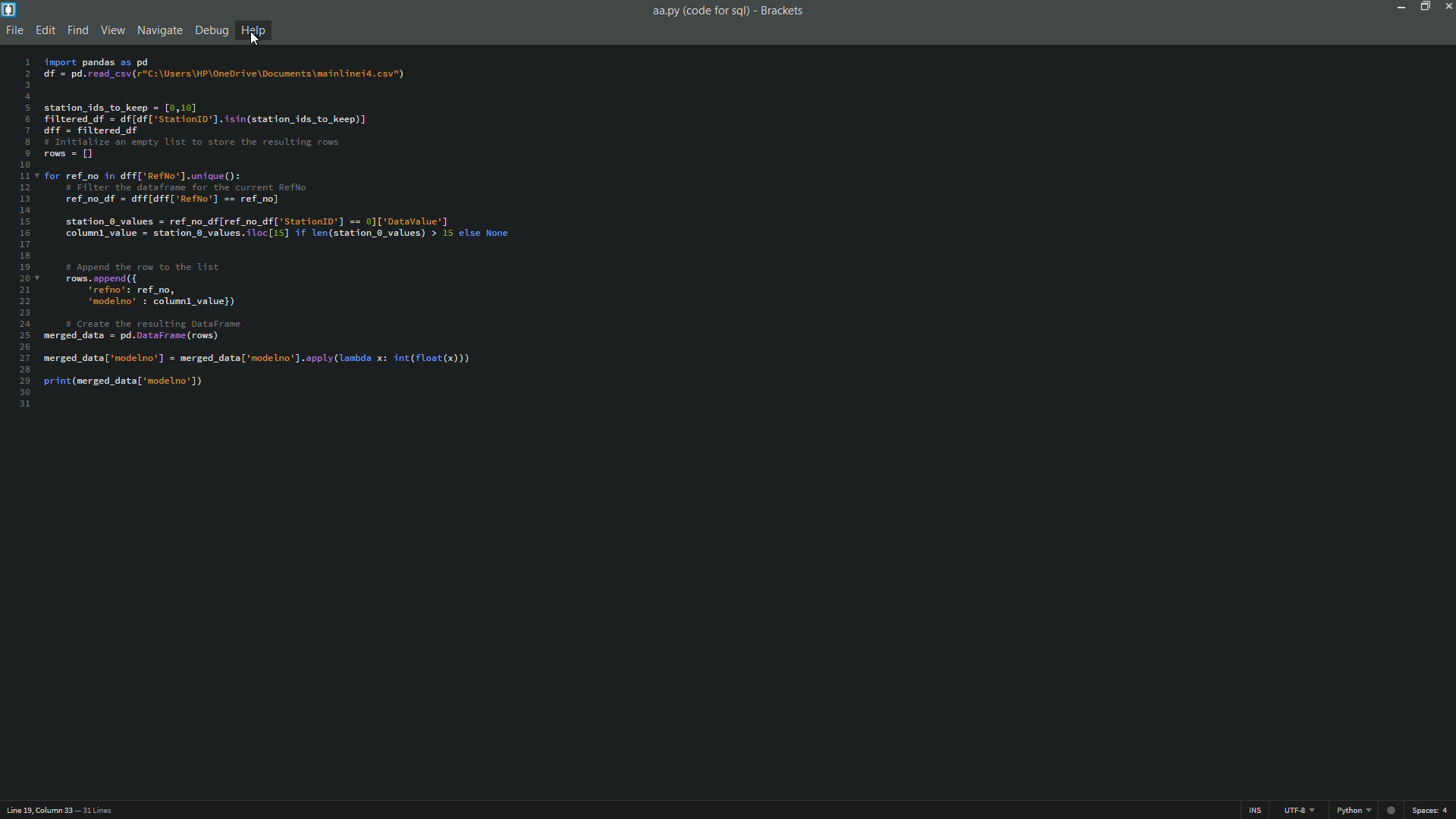 The width and height of the screenshot is (1456, 819). What do you see at coordinates (1352, 810) in the screenshot?
I see `python` at bounding box center [1352, 810].